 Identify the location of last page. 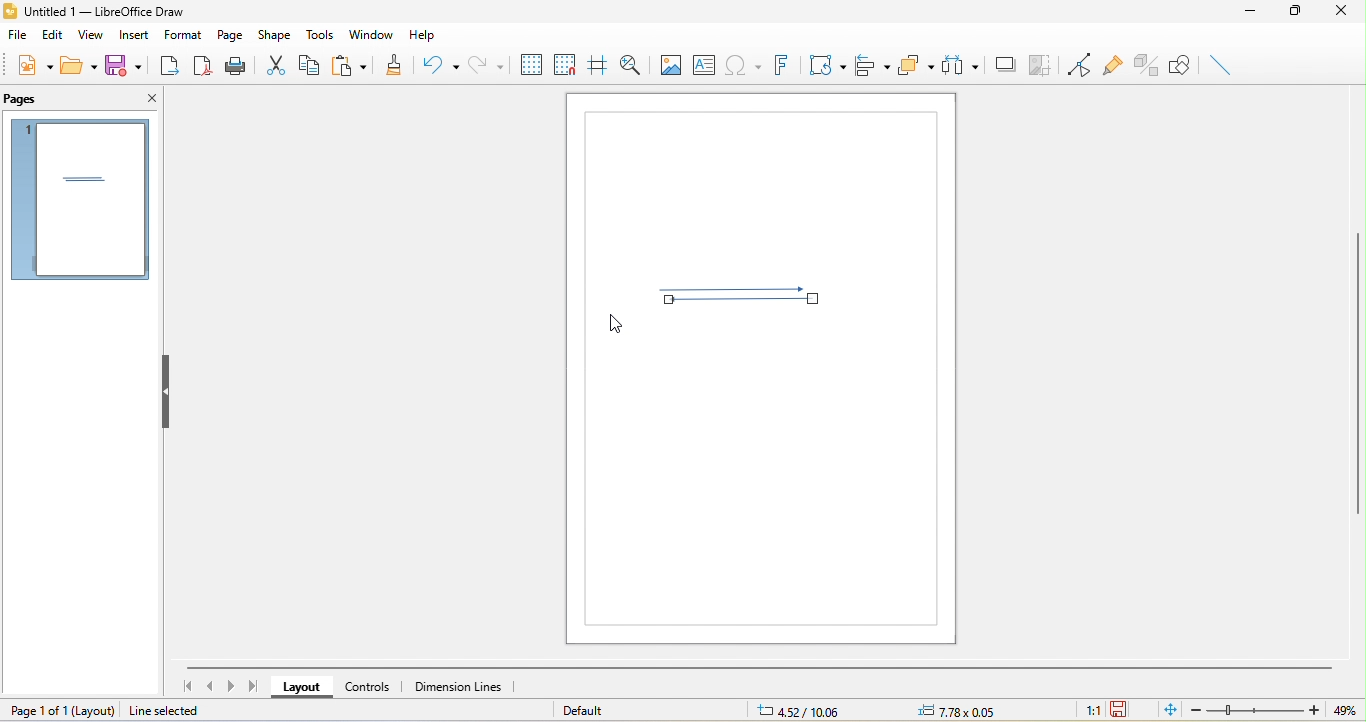
(255, 686).